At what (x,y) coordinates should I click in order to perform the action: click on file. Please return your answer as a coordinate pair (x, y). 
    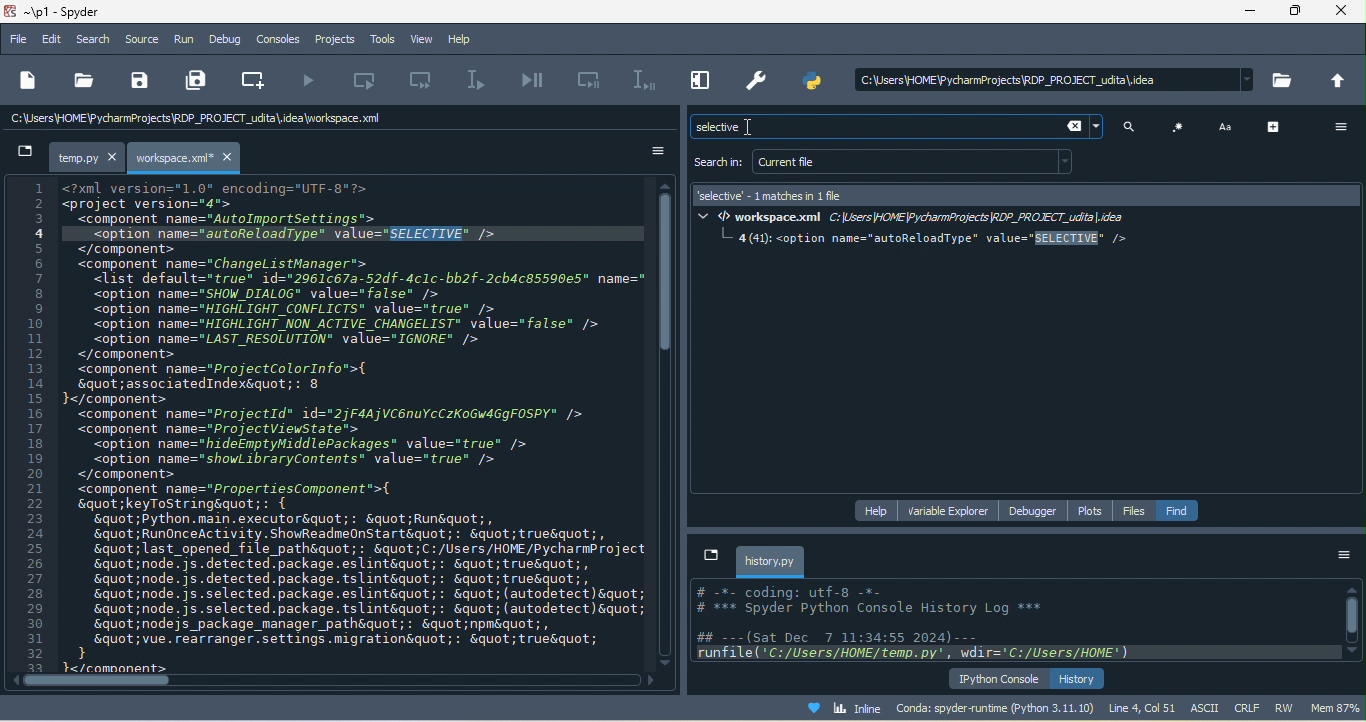
    Looking at the image, I should click on (19, 37).